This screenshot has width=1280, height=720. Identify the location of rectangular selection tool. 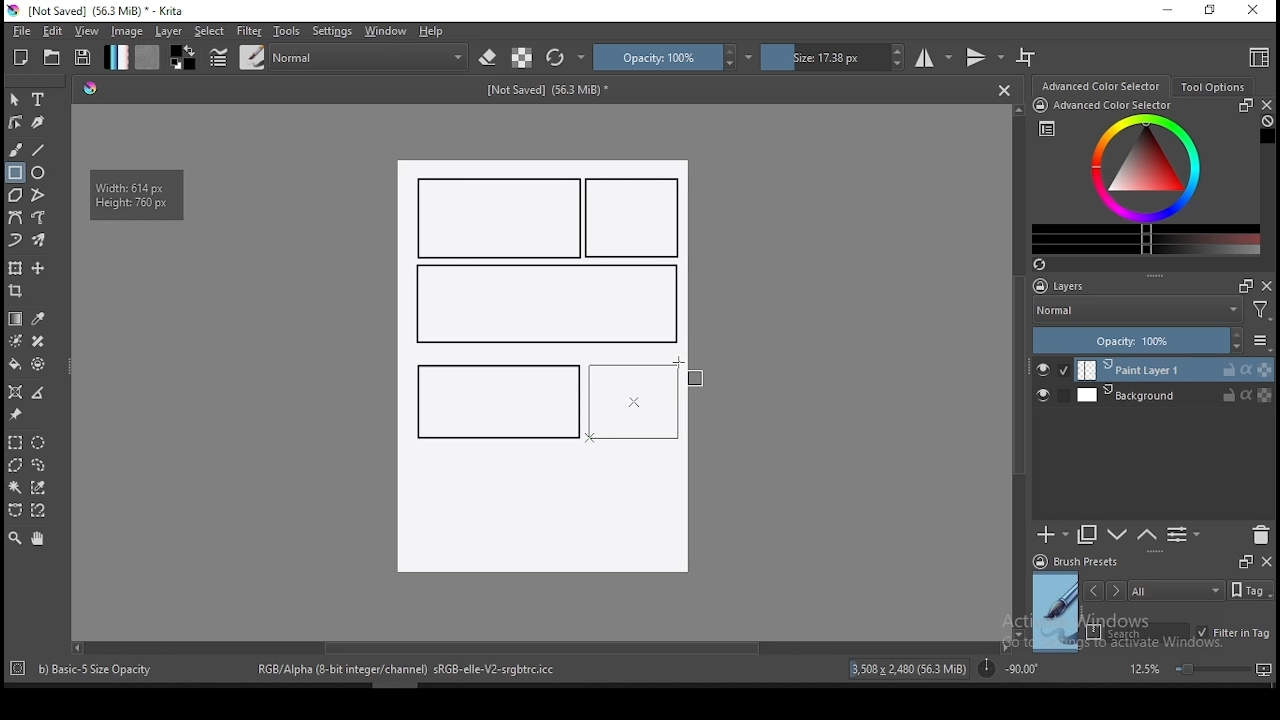
(14, 442).